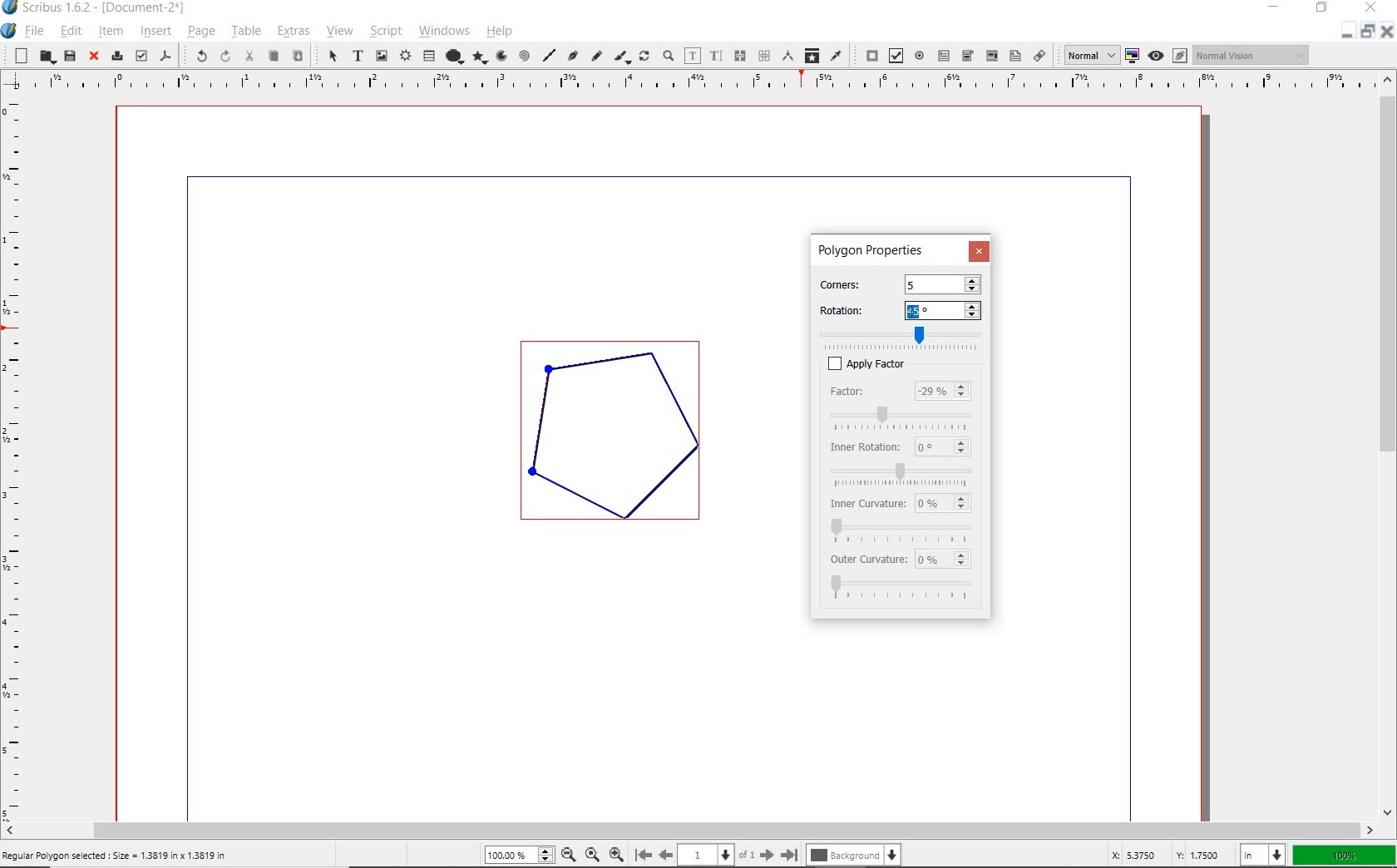 This screenshot has width=1397, height=868. What do you see at coordinates (672, 854) in the screenshot?
I see `move to previous` at bounding box center [672, 854].